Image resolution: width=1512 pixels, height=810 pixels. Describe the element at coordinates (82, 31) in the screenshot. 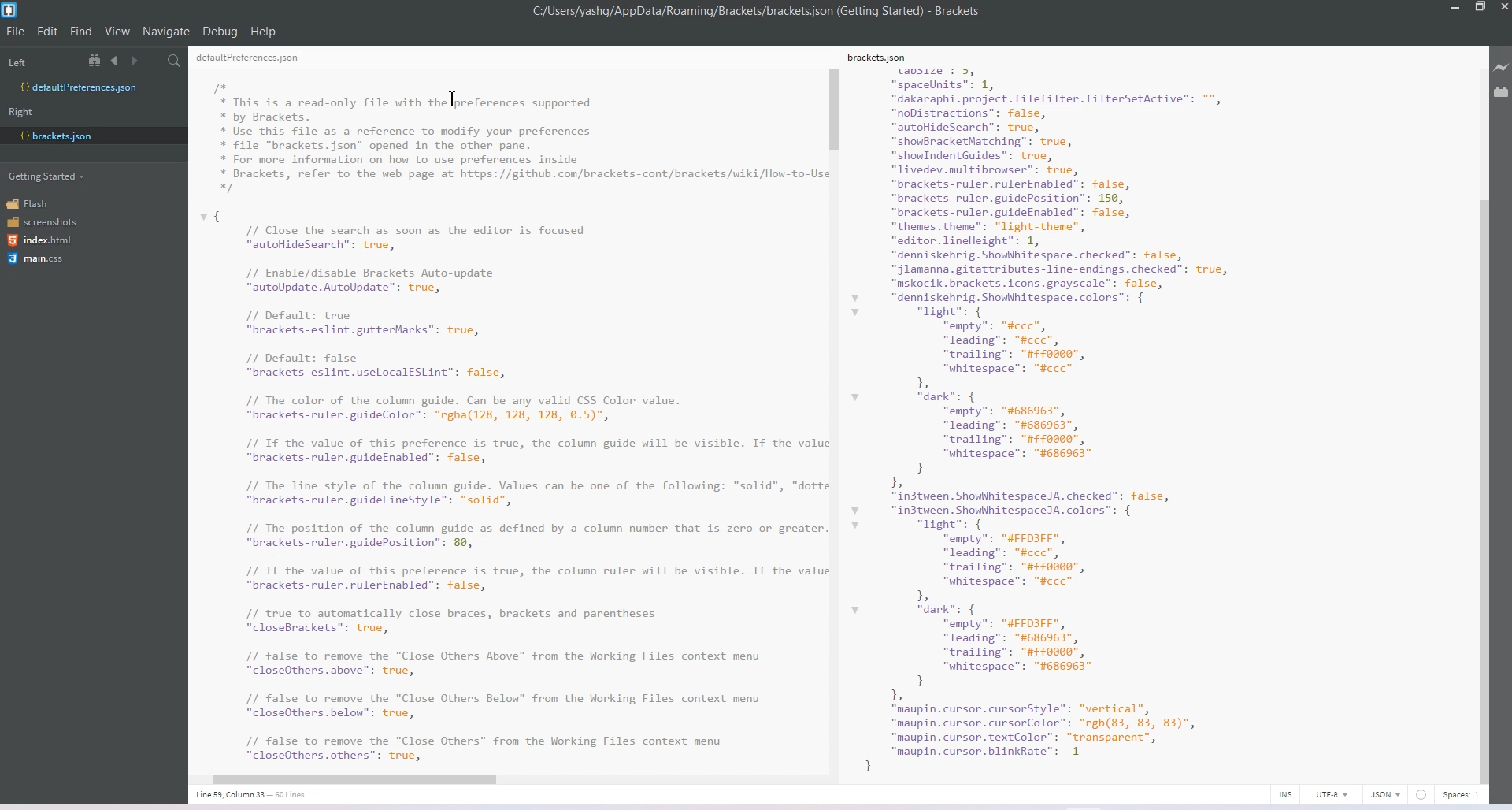

I see `Find` at that location.